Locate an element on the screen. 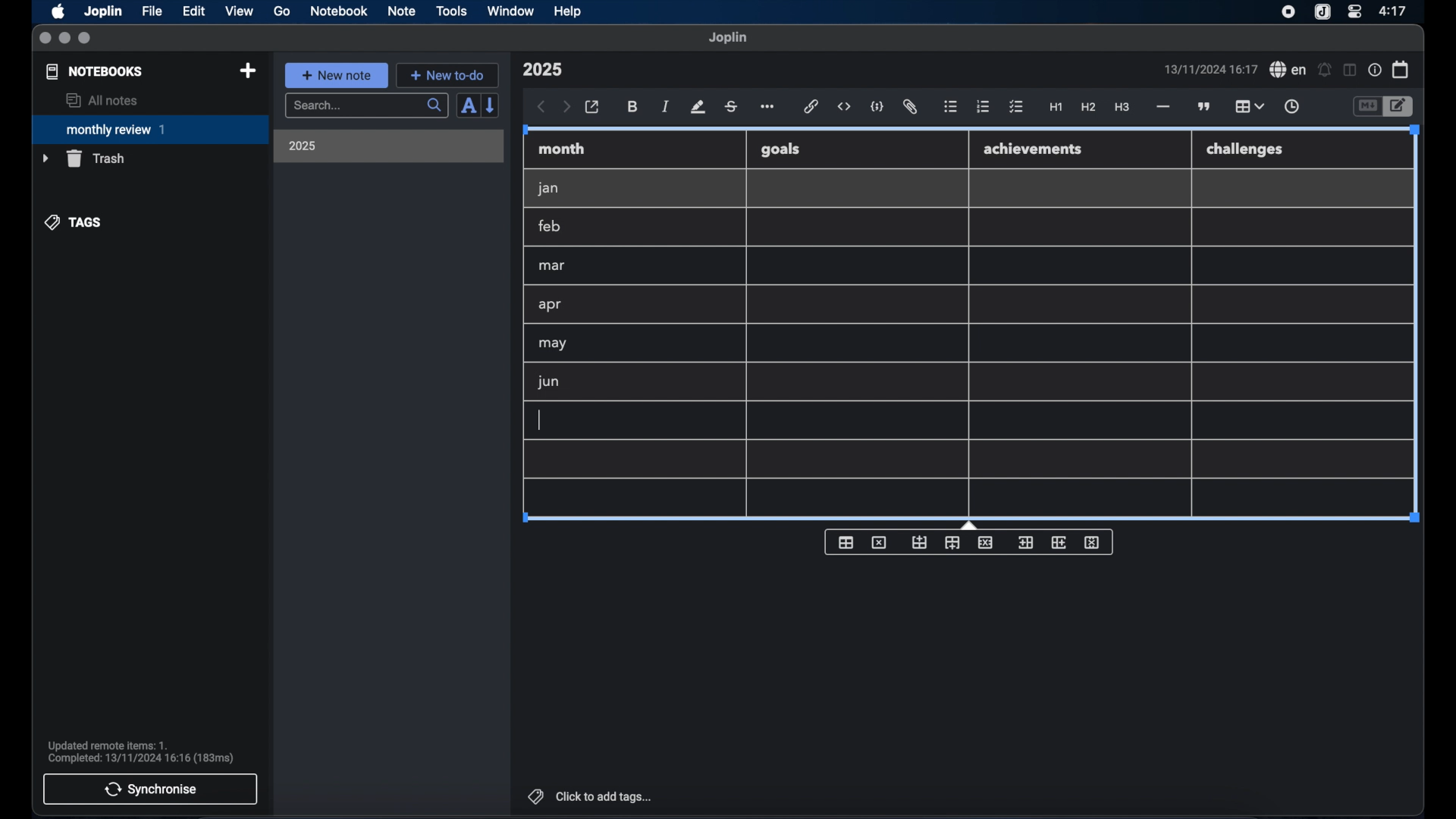 This screenshot has width=1456, height=819. go is located at coordinates (282, 11).